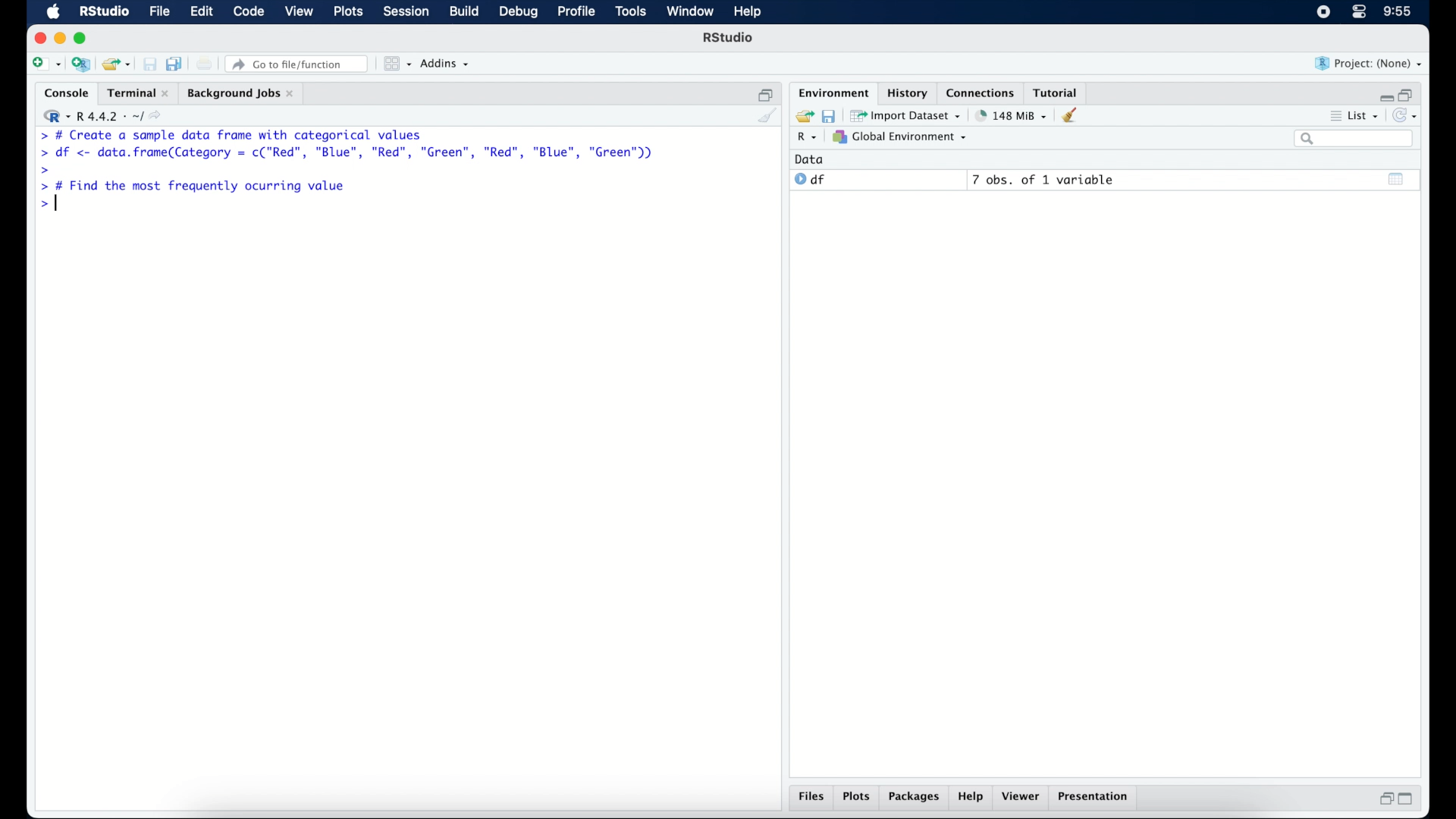 Image resolution: width=1456 pixels, height=819 pixels. What do you see at coordinates (764, 92) in the screenshot?
I see `restore down` at bounding box center [764, 92].